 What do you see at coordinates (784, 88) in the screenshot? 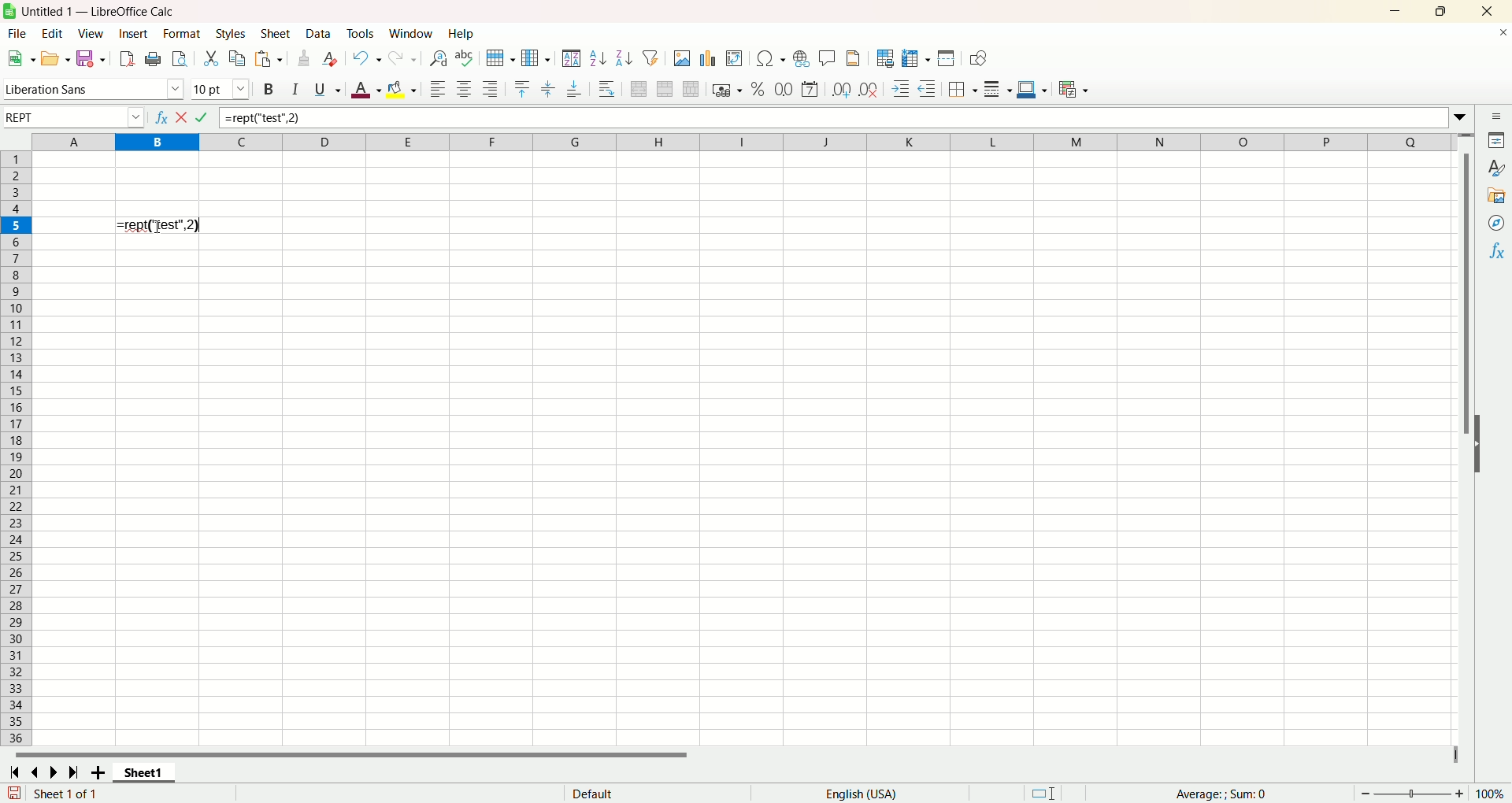
I see `format as number` at bounding box center [784, 88].